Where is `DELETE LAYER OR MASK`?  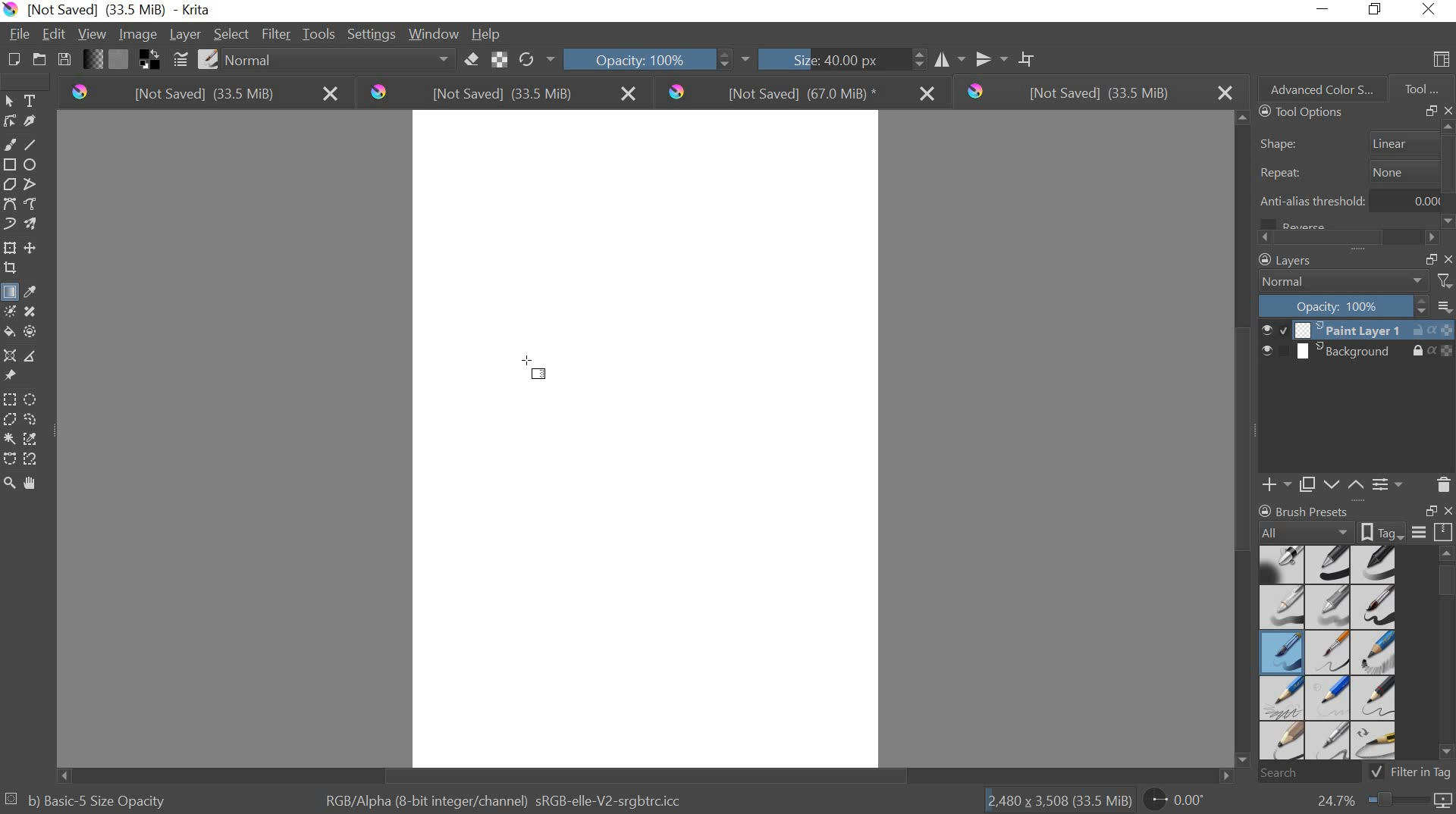
DELETE LAYER OR MASK is located at coordinates (1443, 484).